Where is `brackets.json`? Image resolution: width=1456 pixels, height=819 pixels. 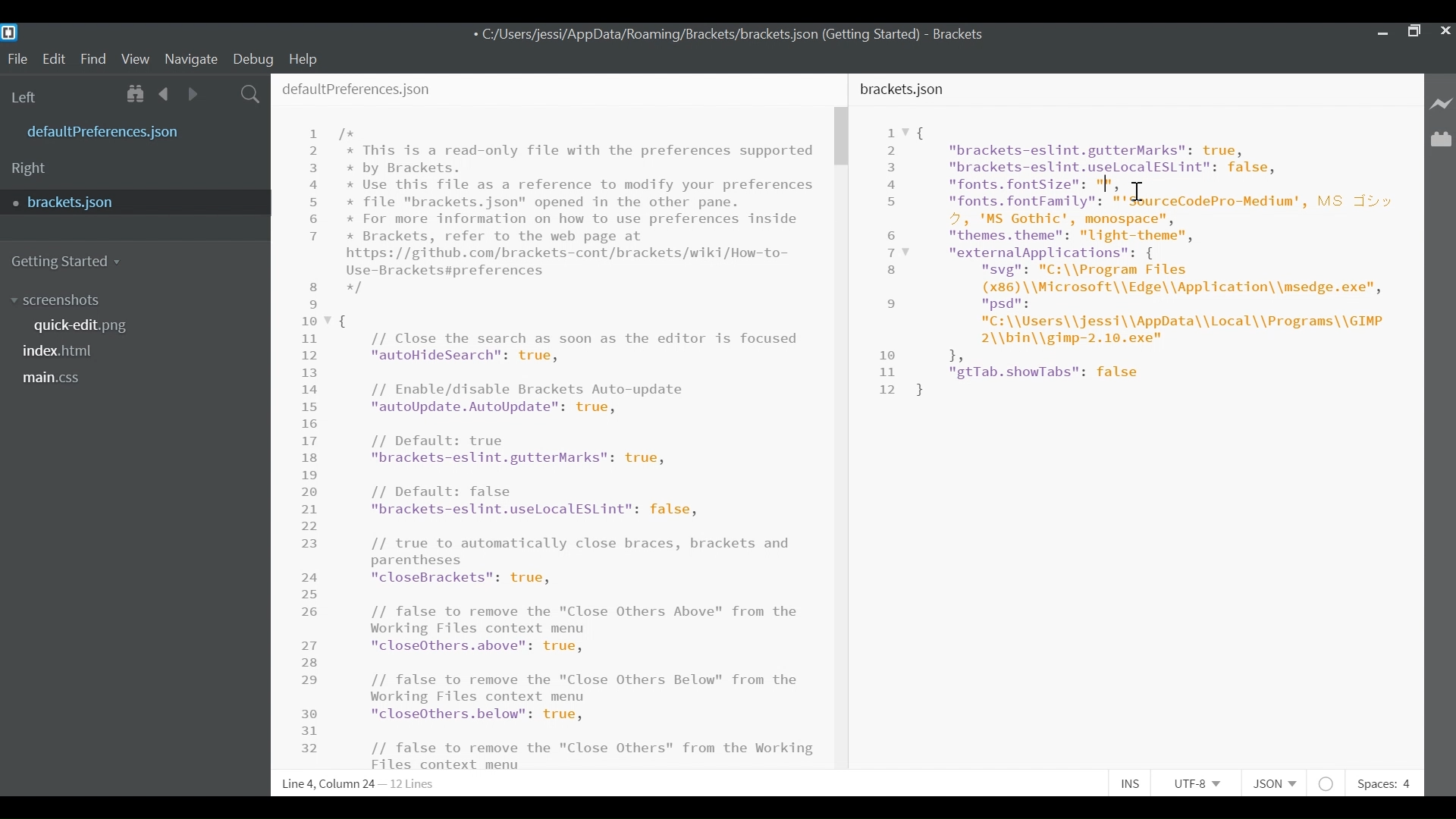 brackets.json is located at coordinates (907, 89).